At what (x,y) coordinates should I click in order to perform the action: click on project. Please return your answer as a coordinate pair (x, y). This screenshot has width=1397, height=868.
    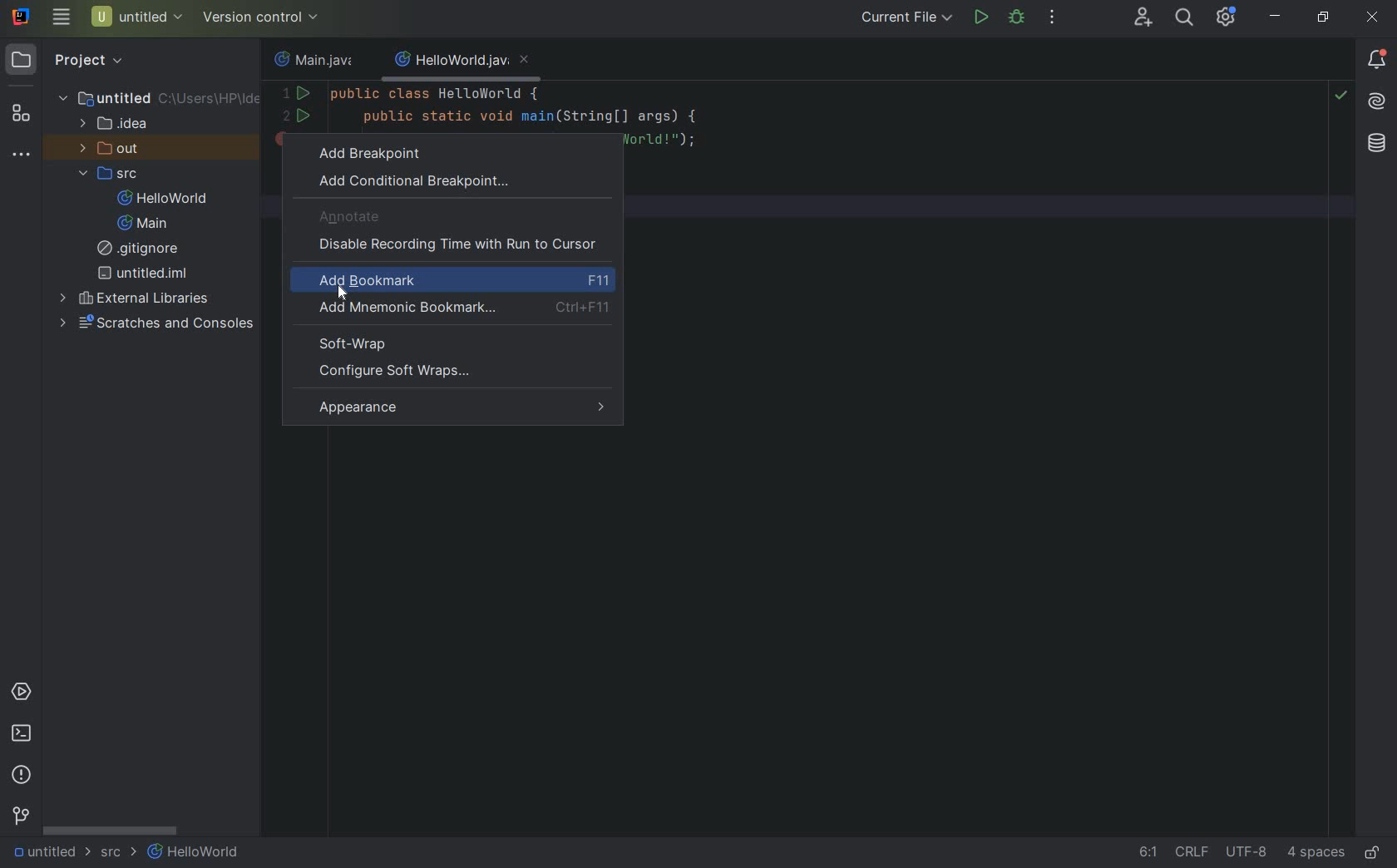
    Looking at the image, I should click on (67, 60).